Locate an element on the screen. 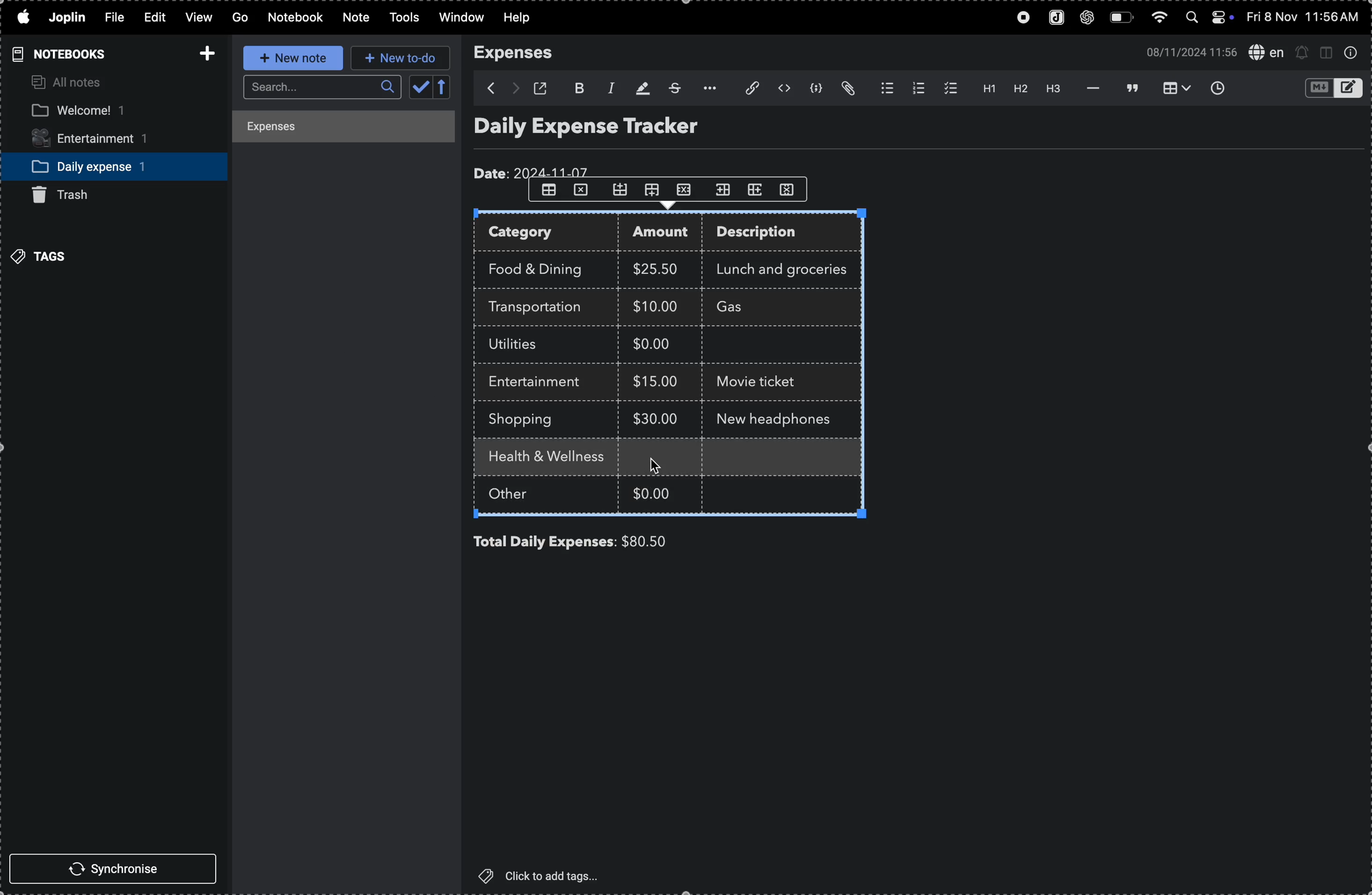 The image size is (1372, 895). notebooks is located at coordinates (56, 54).